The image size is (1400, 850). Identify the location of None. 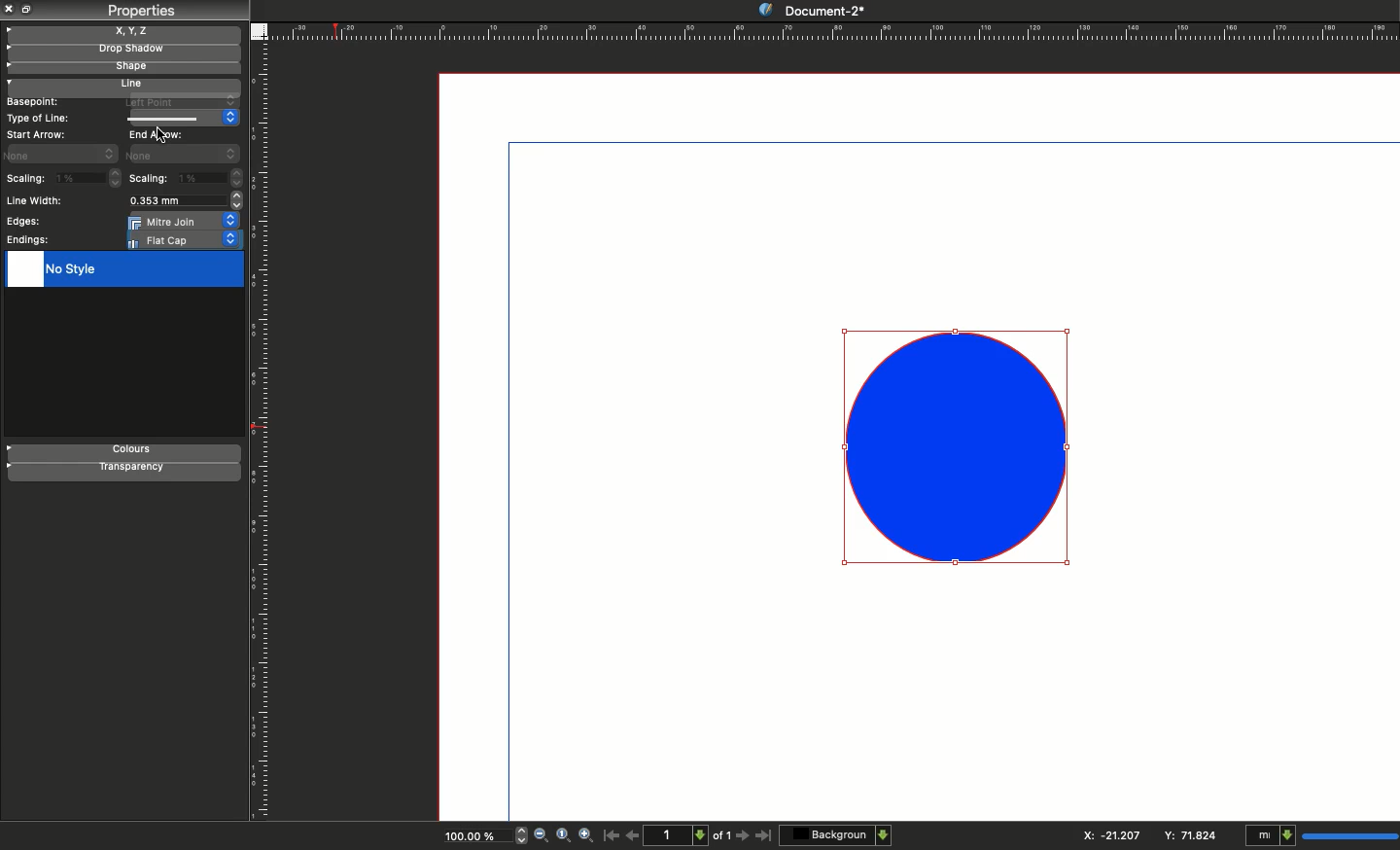
(183, 154).